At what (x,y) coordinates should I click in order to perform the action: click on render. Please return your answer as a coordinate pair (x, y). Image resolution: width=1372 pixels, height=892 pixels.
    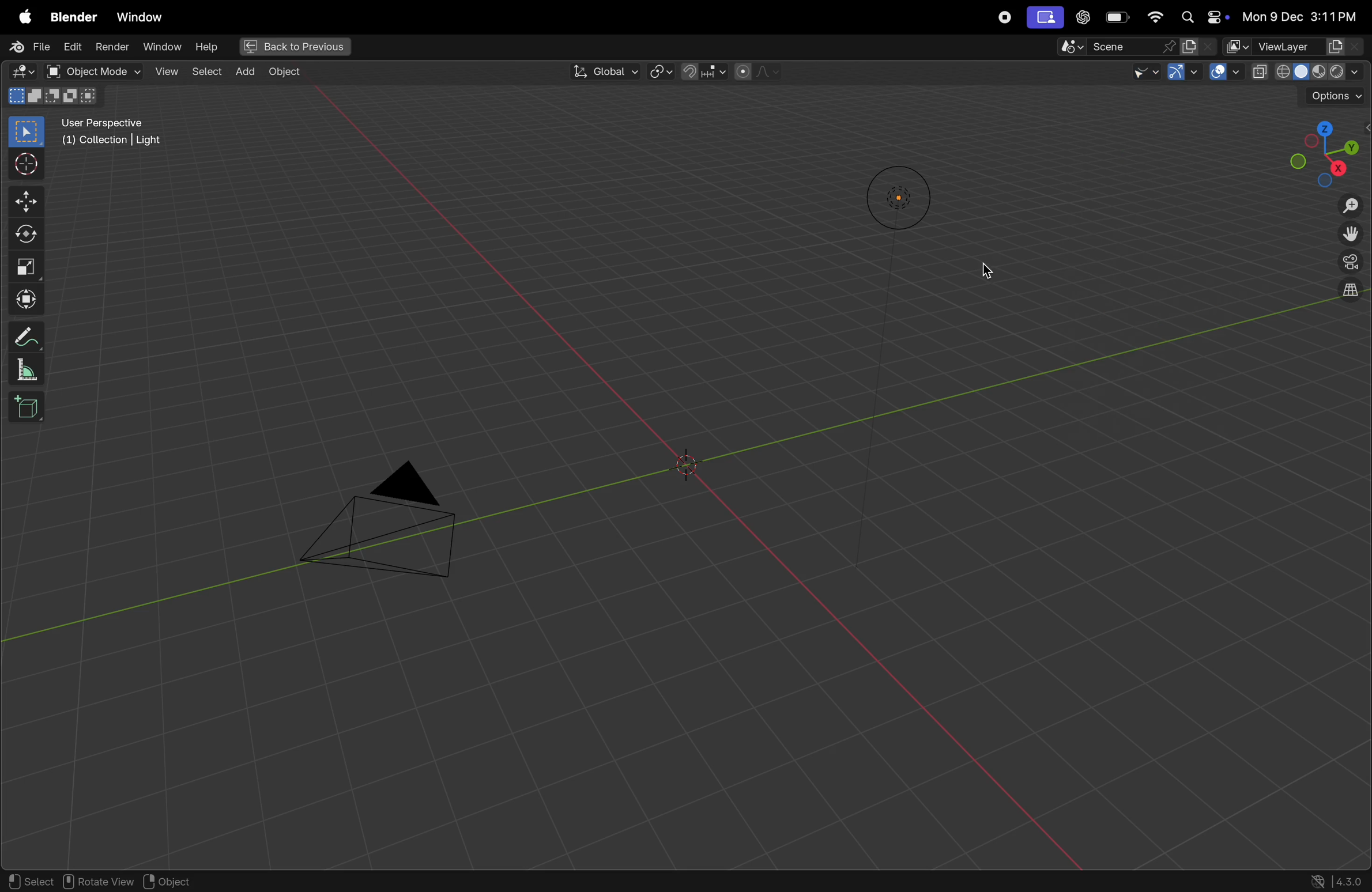
    Looking at the image, I should click on (111, 49).